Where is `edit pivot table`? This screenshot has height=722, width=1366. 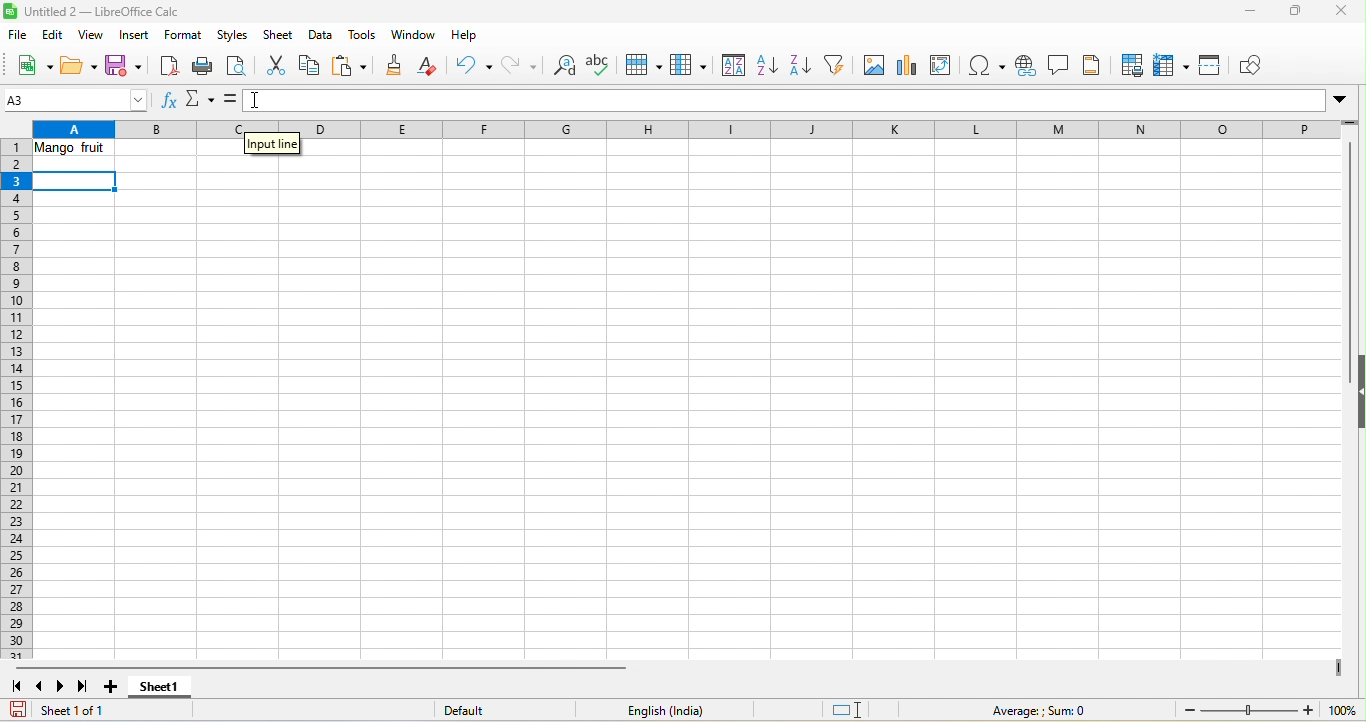 edit pivot table is located at coordinates (946, 65).